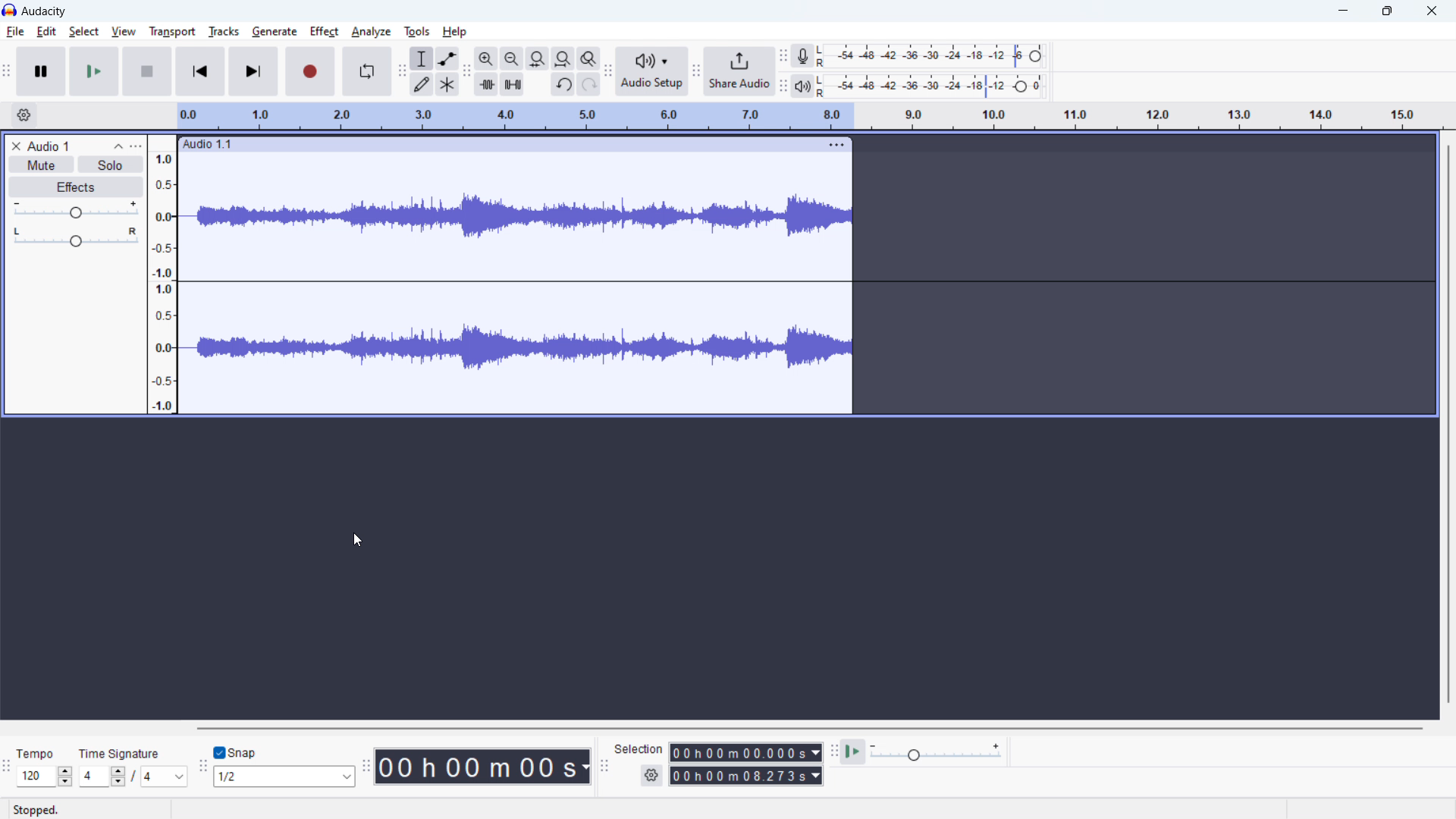  What do you see at coordinates (609, 71) in the screenshot?
I see `audio setup toolbar` at bounding box center [609, 71].